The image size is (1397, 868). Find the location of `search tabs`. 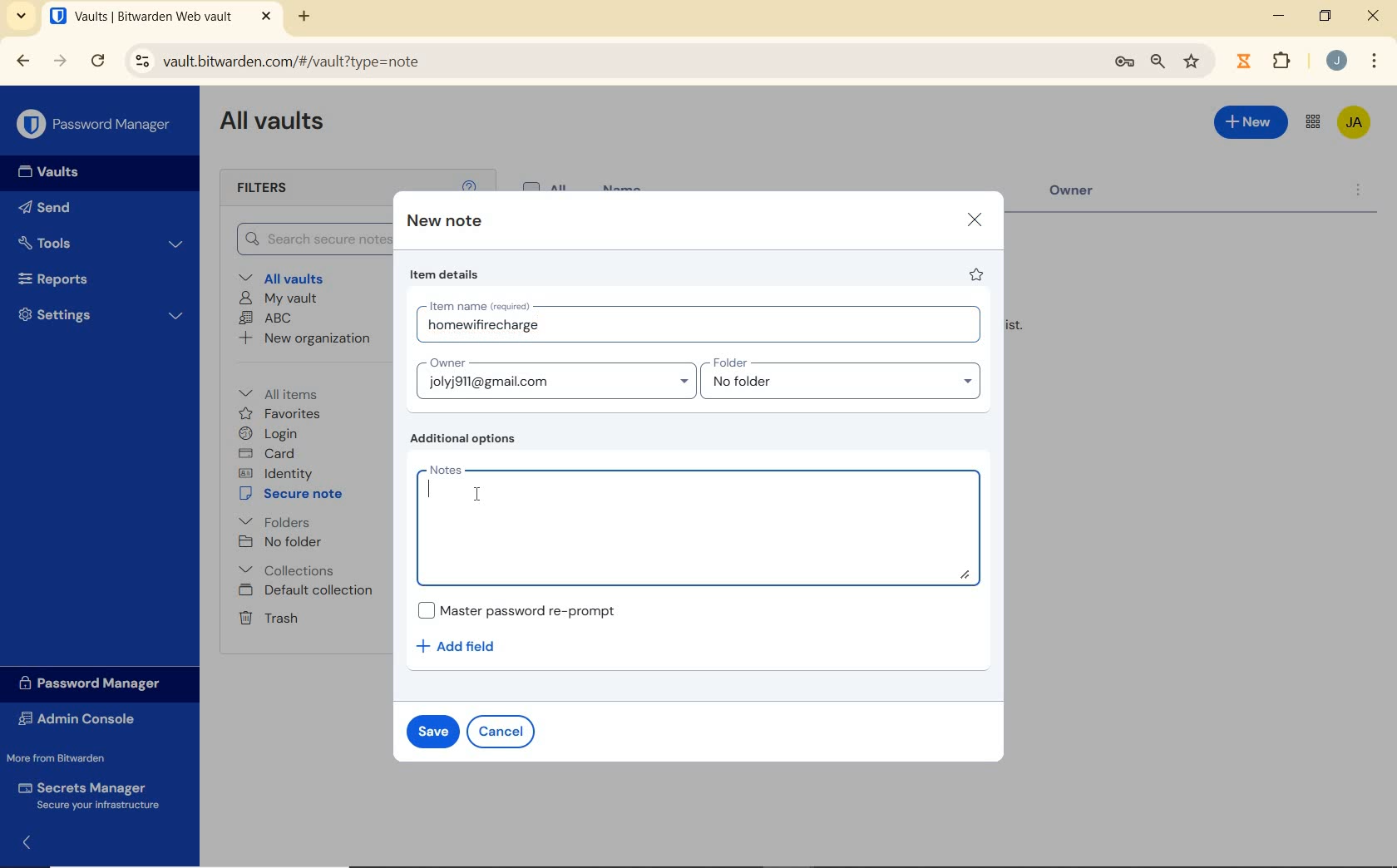

search tabs is located at coordinates (23, 18).